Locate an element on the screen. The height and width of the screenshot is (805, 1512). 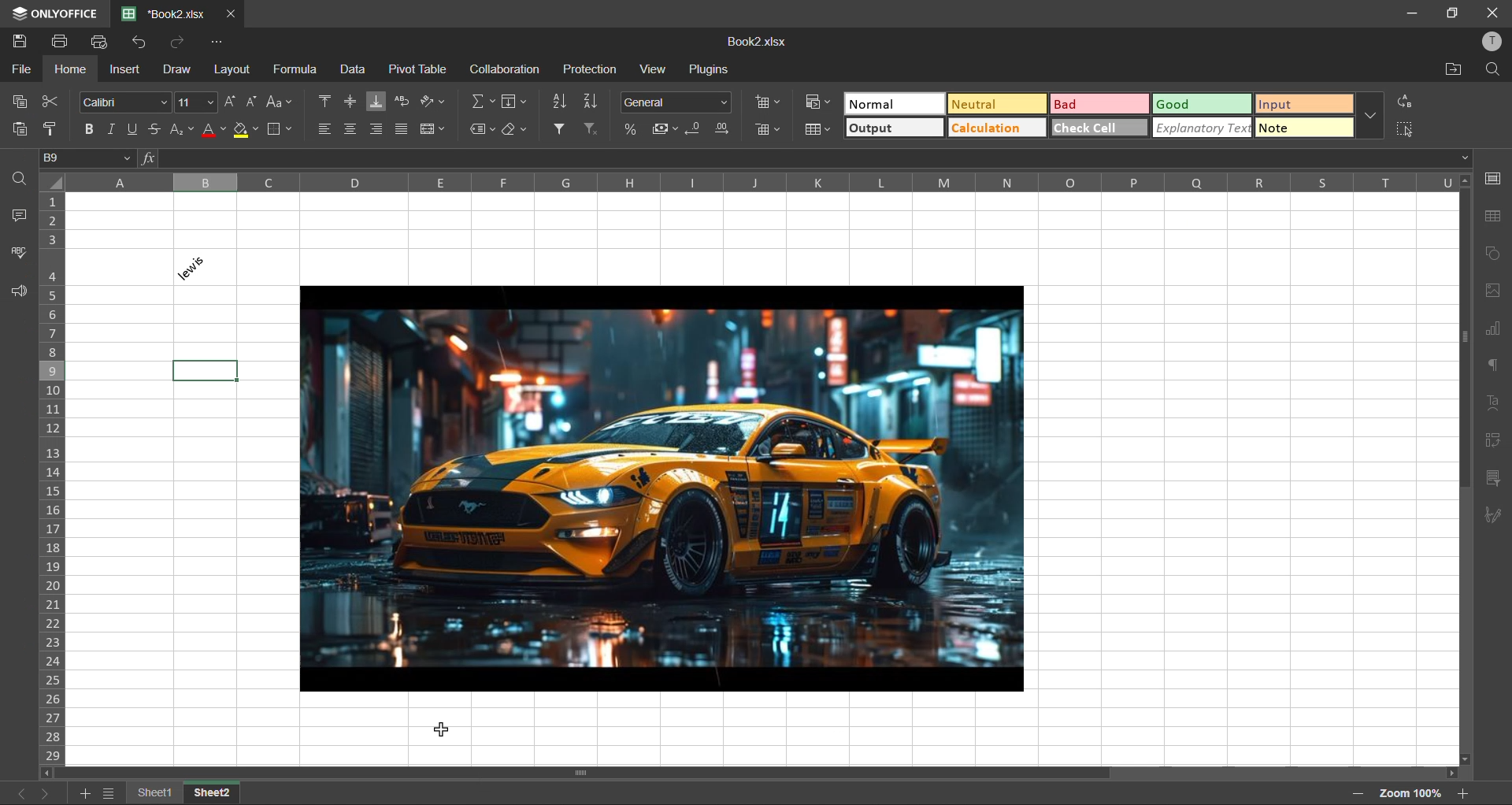
Book2.xlsx is located at coordinates (757, 43).